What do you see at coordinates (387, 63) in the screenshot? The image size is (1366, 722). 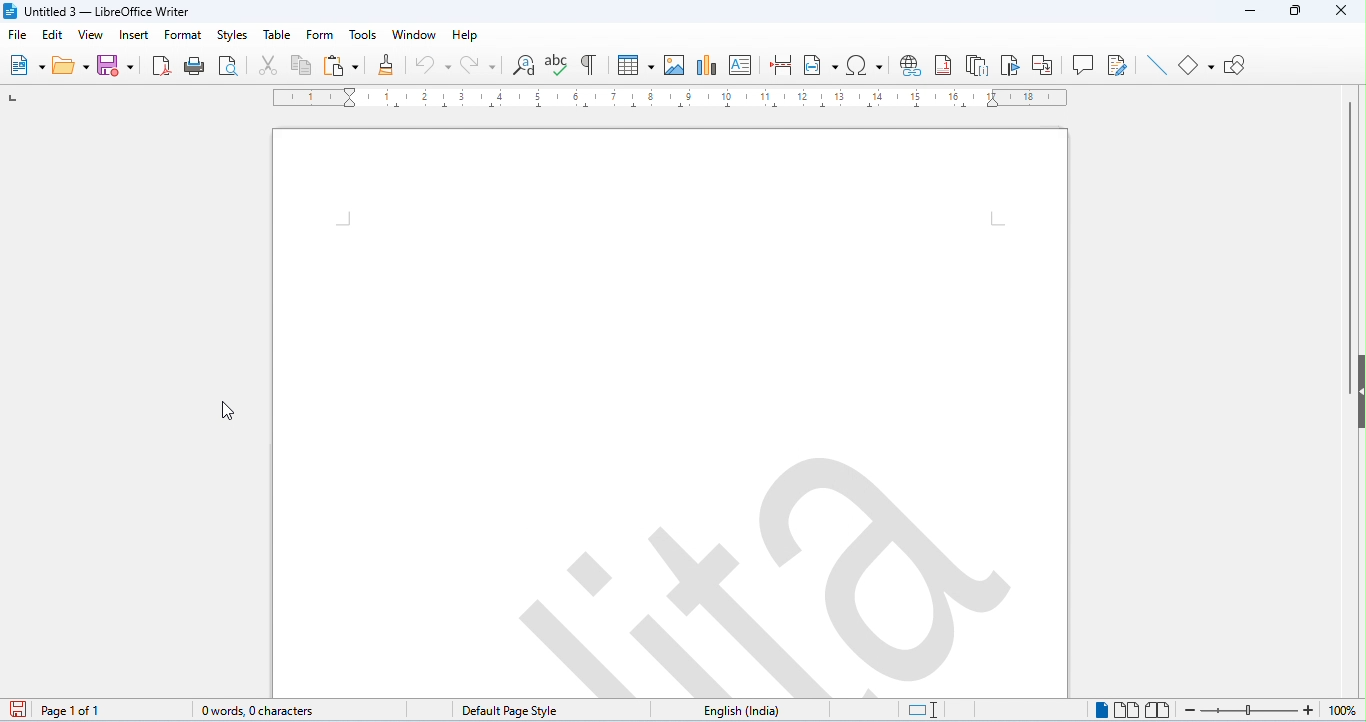 I see `clone` at bounding box center [387, 63].